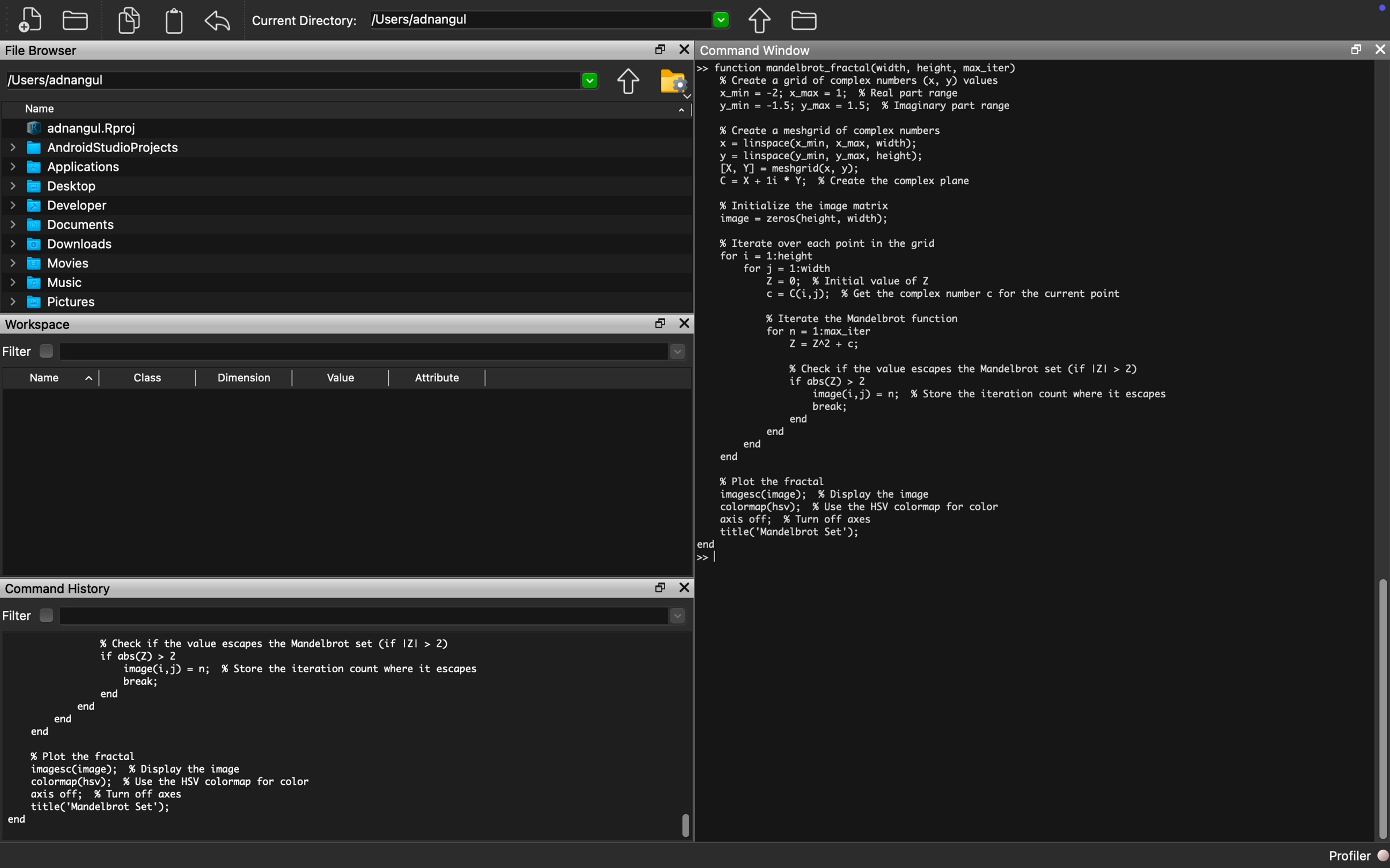 This screenshot has width=1390, height=868. What do you see at coordinates (249, 378) in the screenshot?
I see `Dimension` at bounding box center [249, 378].